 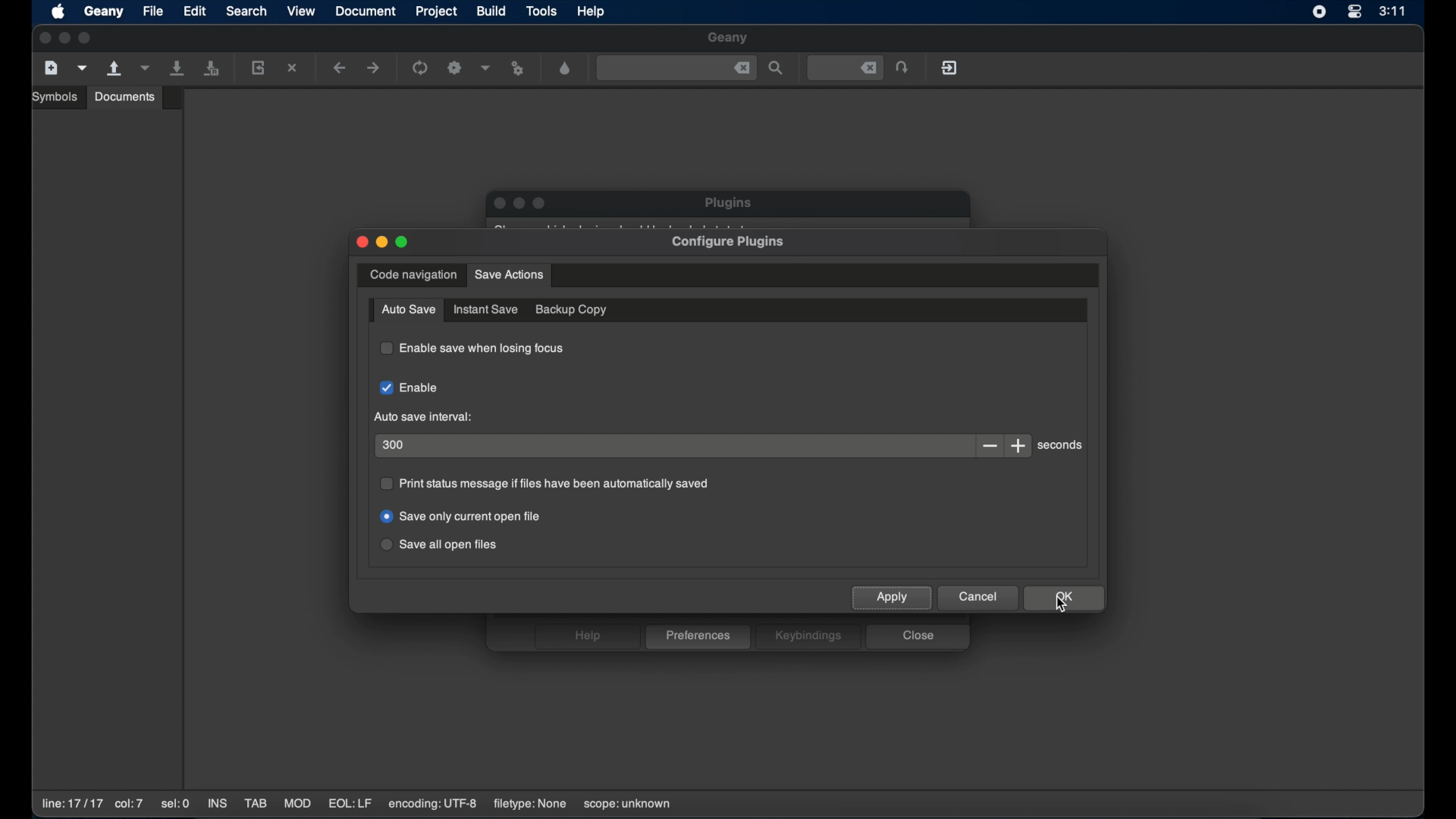 What do you see at coordinates (104, 12) in the screenshot?
I see `geany` at bounding box center [104, 12].